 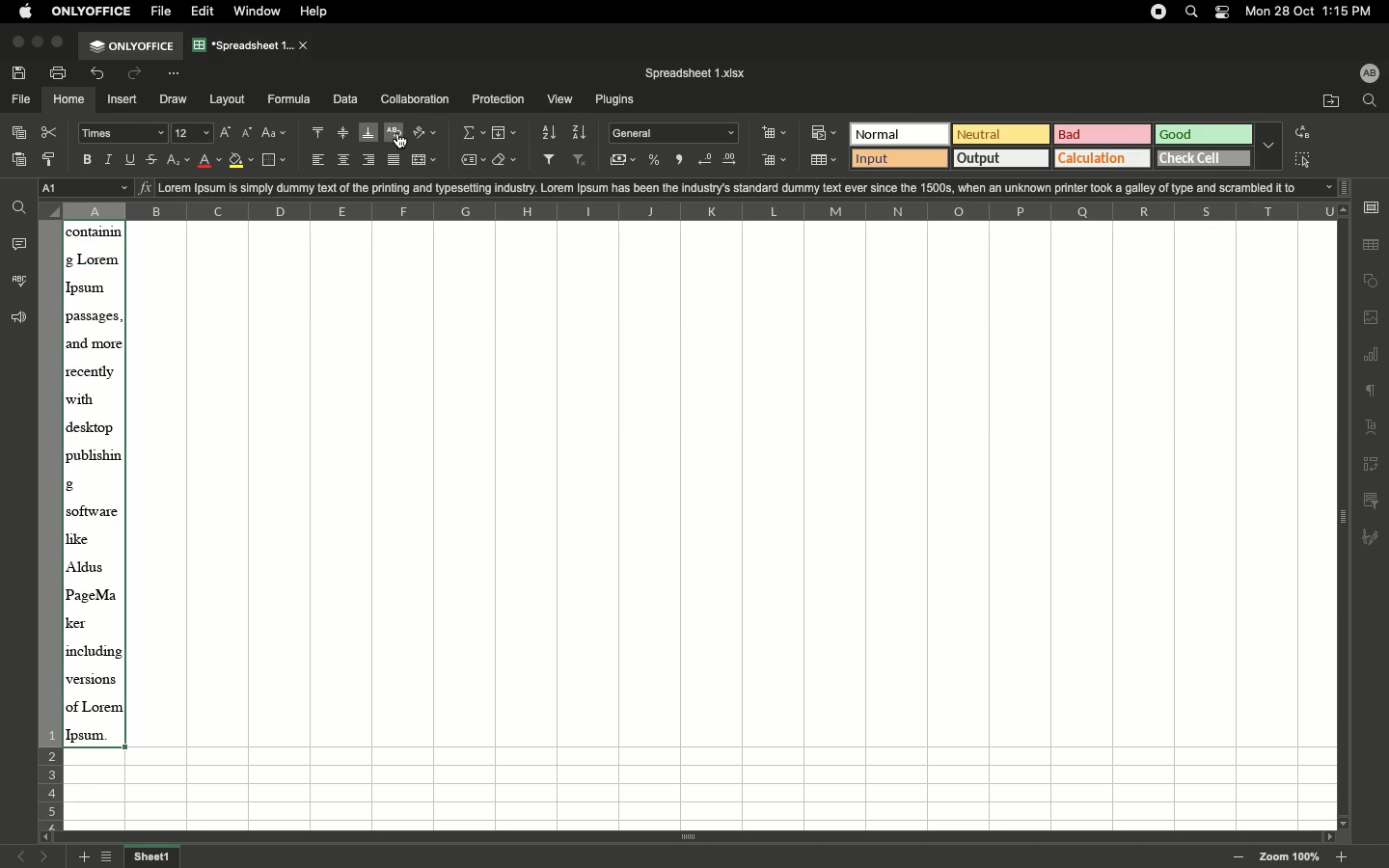 I want to click on Underline, so click(x=133, y=159).